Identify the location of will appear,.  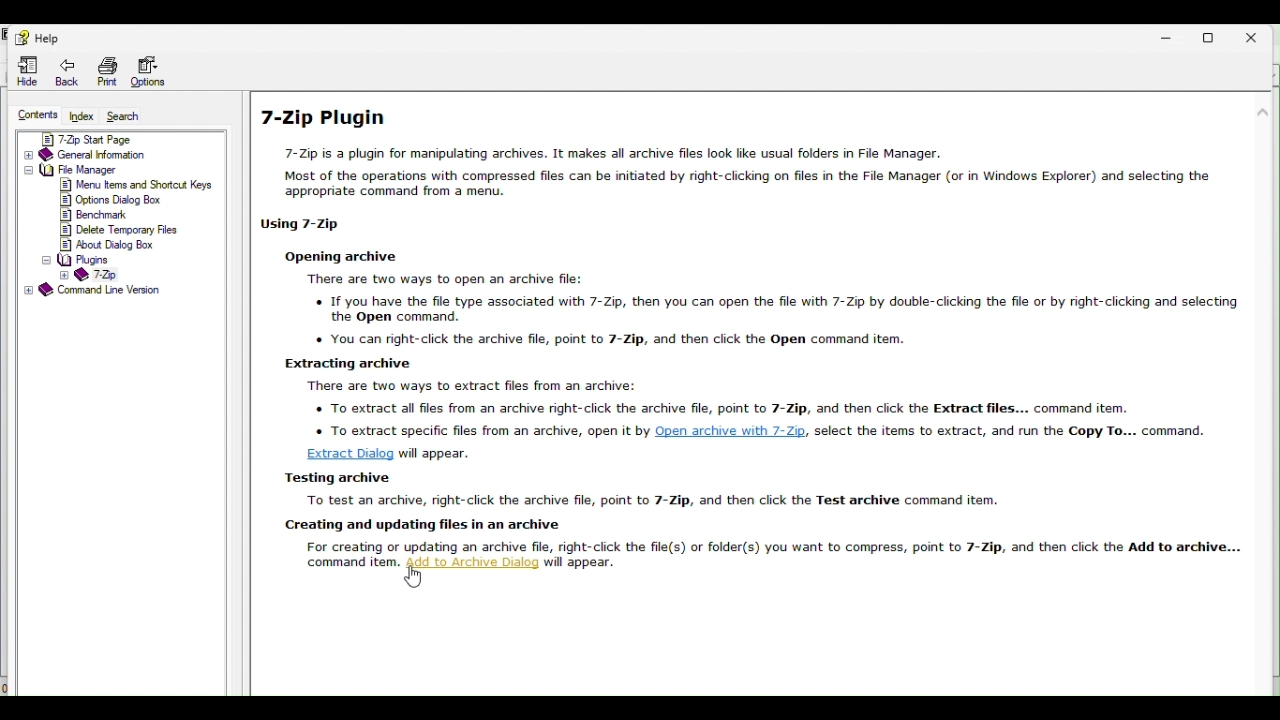
(582, 563).